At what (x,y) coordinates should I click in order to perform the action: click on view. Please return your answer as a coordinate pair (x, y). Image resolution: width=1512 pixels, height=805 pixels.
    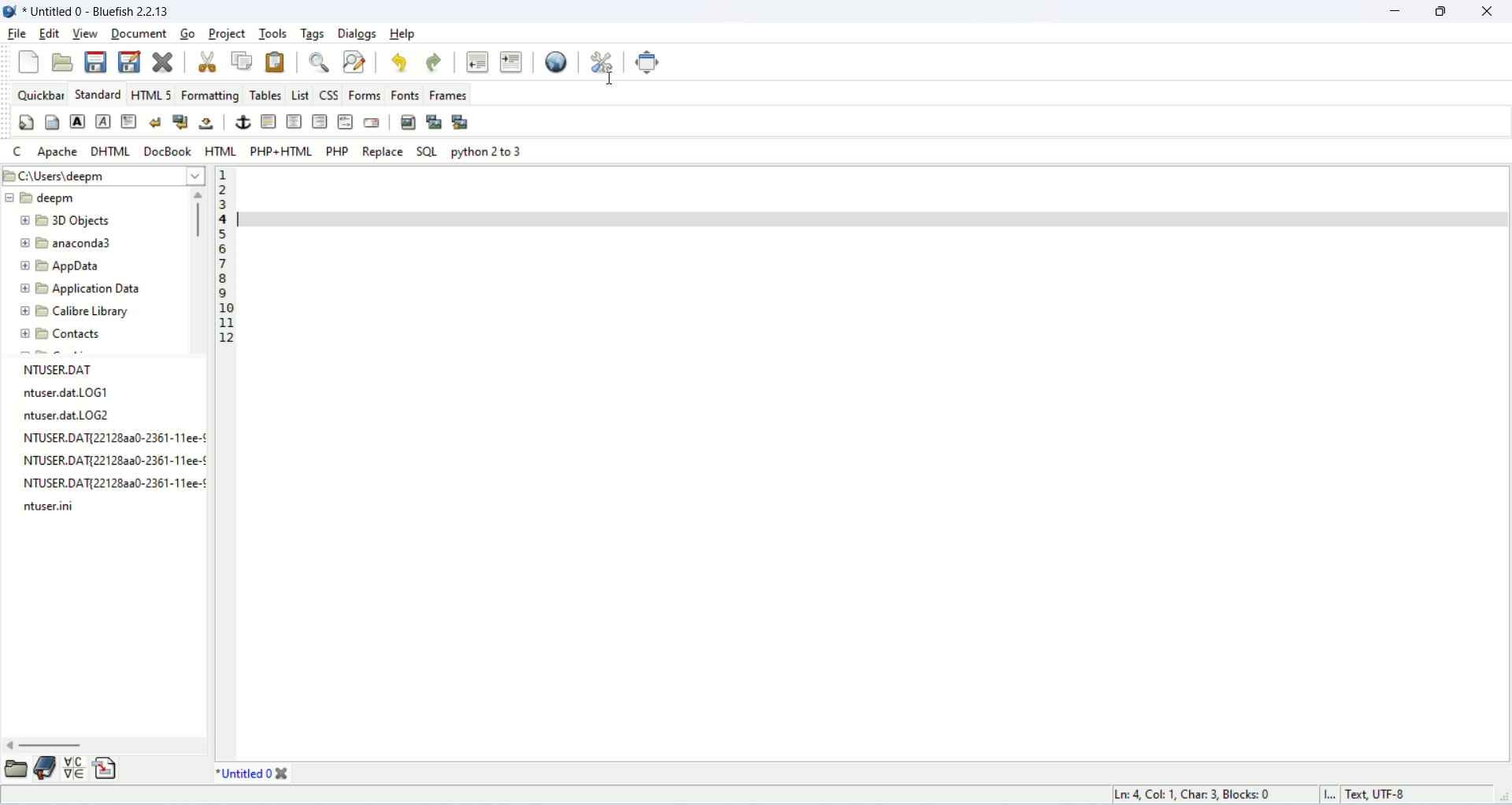
    Looking at the image, I should click on (86, 33).